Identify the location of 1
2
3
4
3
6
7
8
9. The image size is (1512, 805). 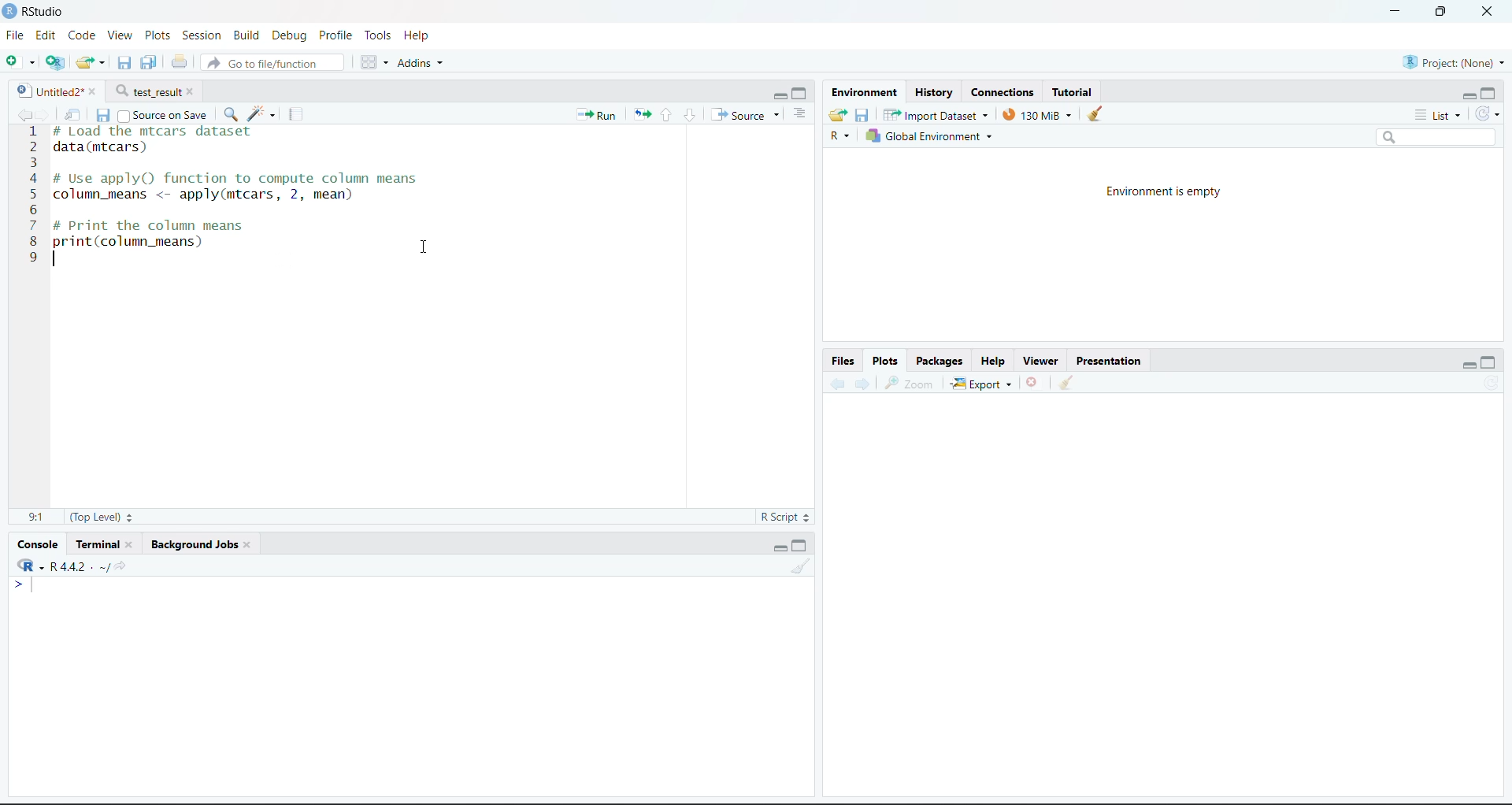
(32, 202).